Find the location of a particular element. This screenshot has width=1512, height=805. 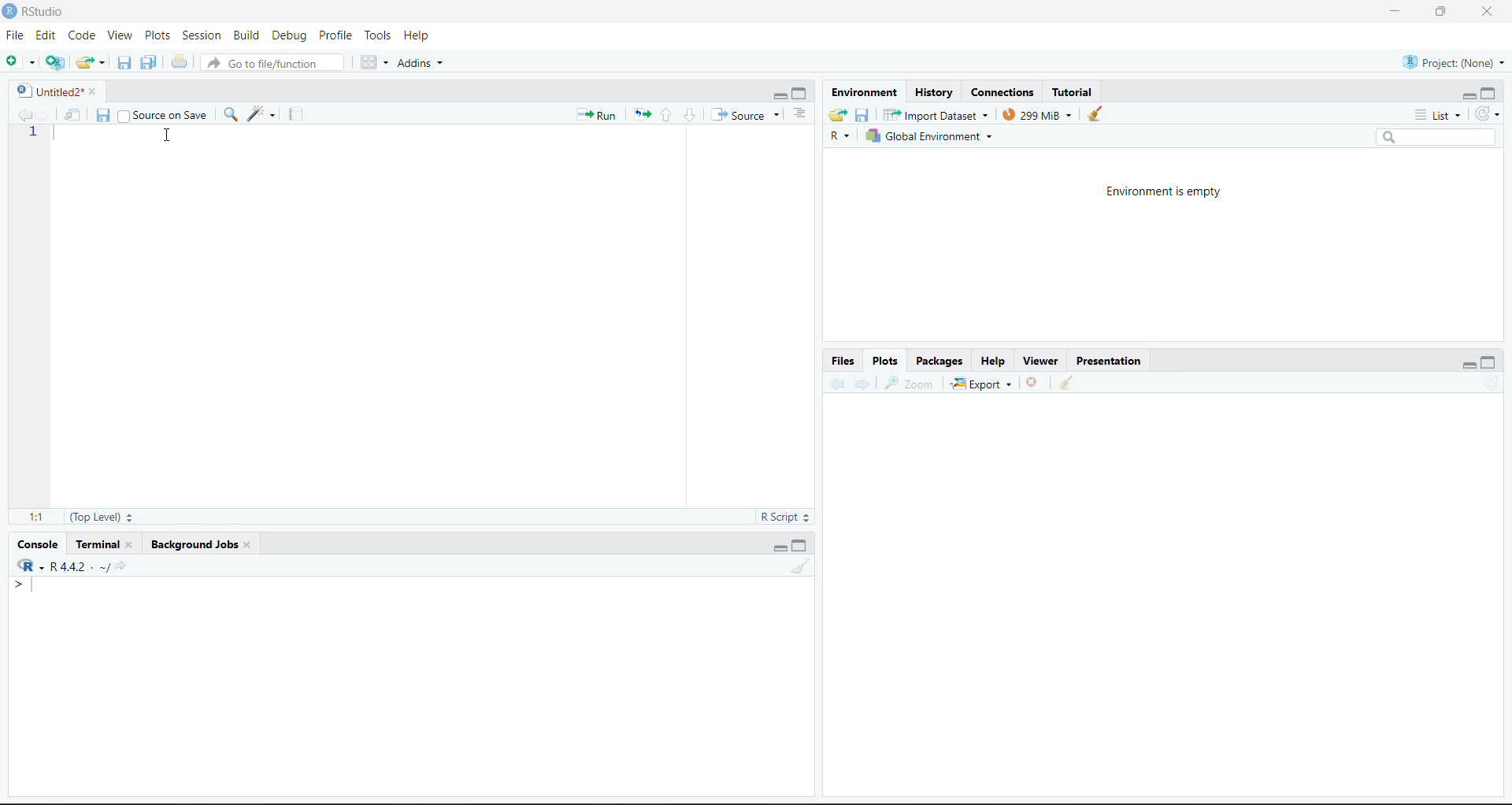

go forward to the next source location is located at coordinates (49, 114).